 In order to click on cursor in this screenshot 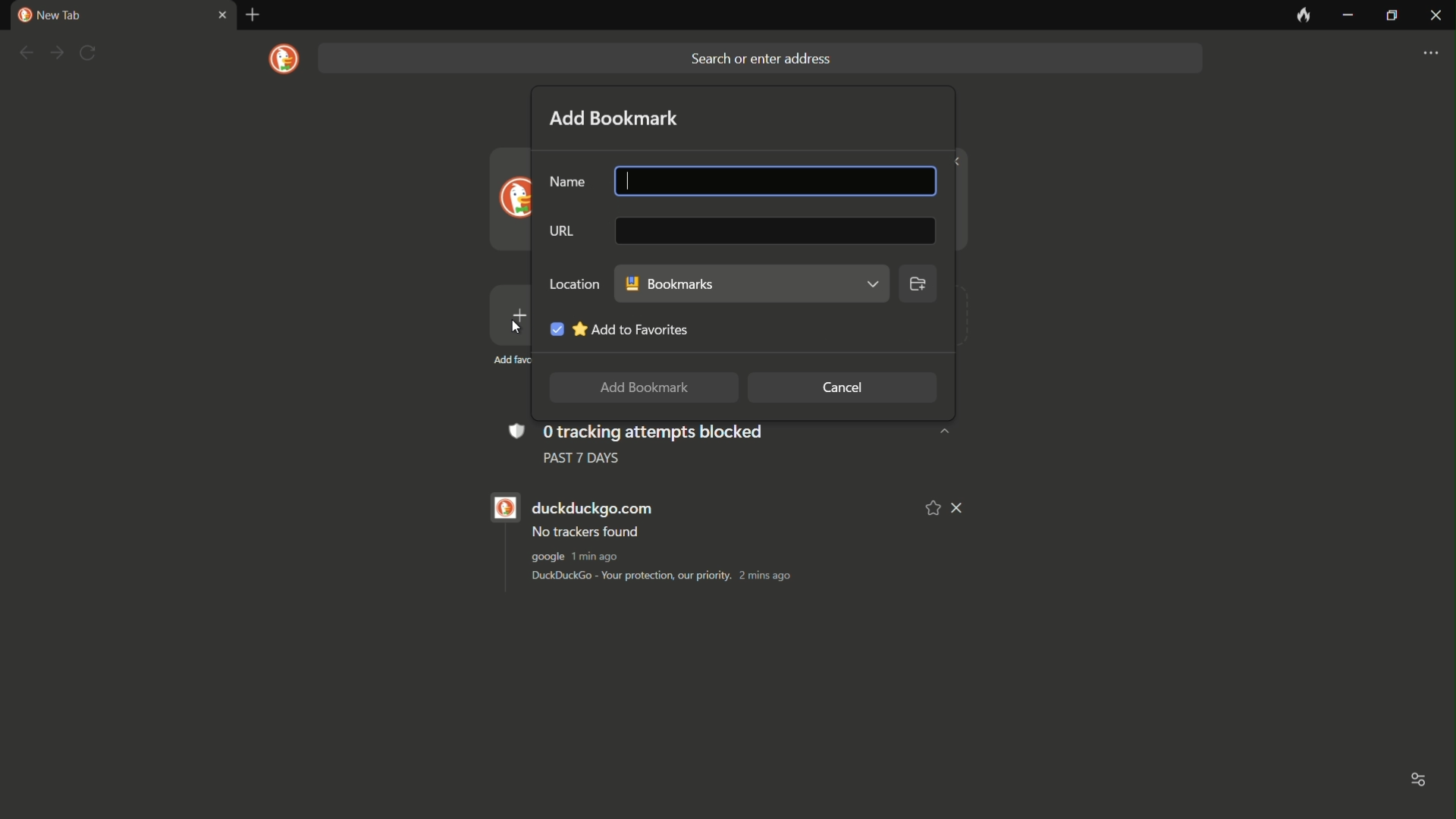, I will do `click(629, 181)`.